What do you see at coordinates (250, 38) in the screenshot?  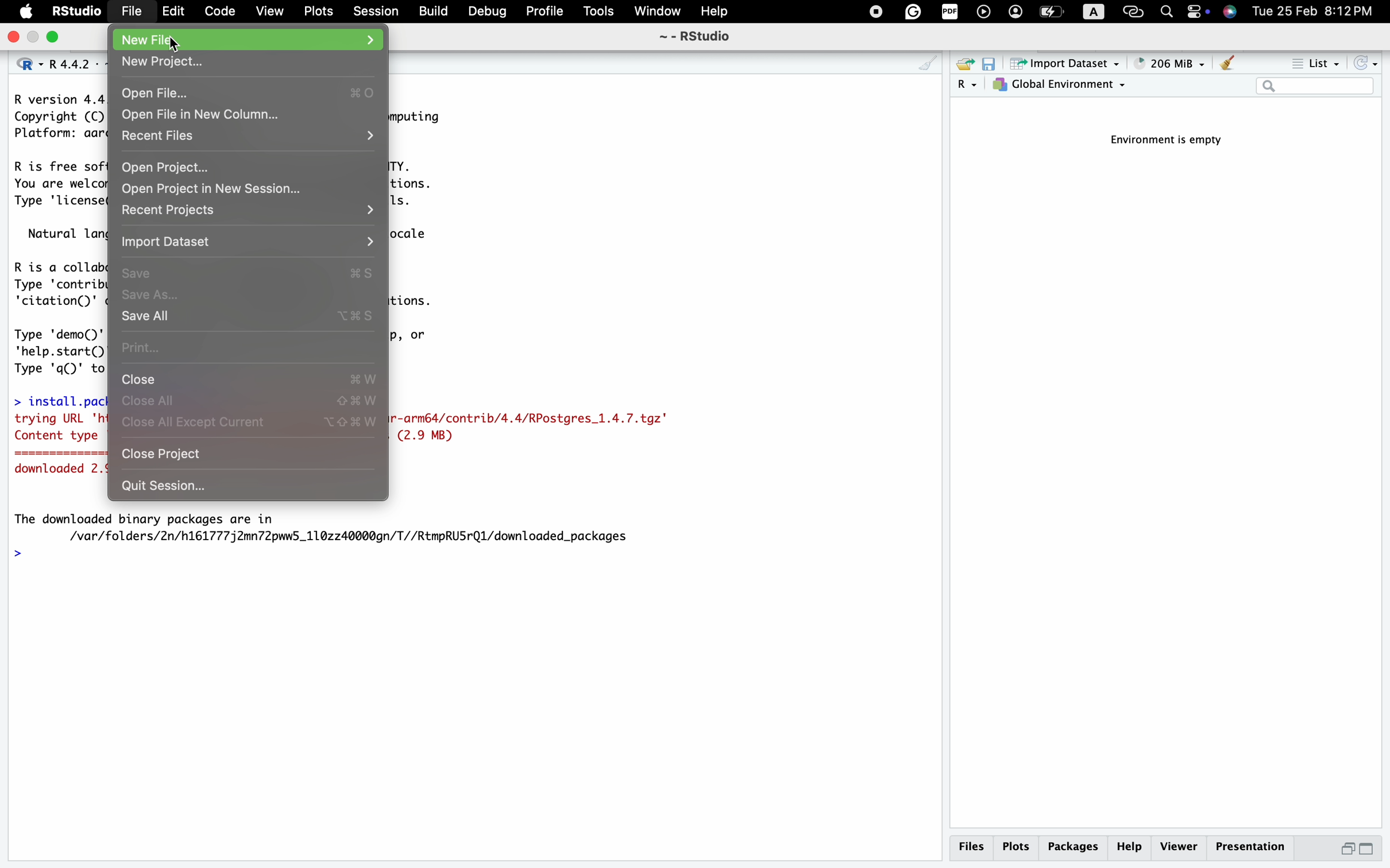 I see `New File` at bounding box center [250, 38].